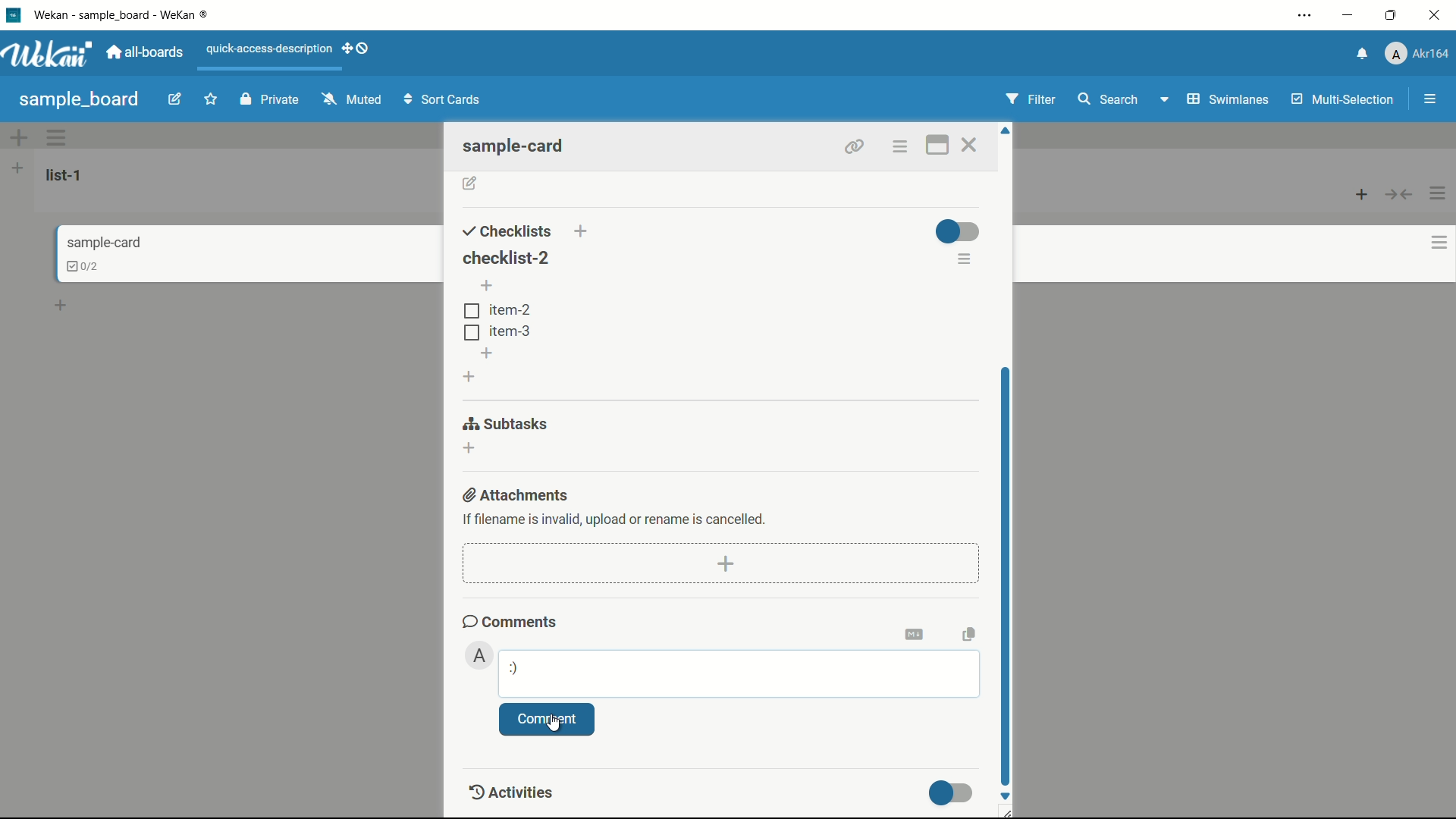 This screenshot has height=819, width=1456. Describe the element at coordinates (497, 310) in the screenshot. I see `item-2` at that location.